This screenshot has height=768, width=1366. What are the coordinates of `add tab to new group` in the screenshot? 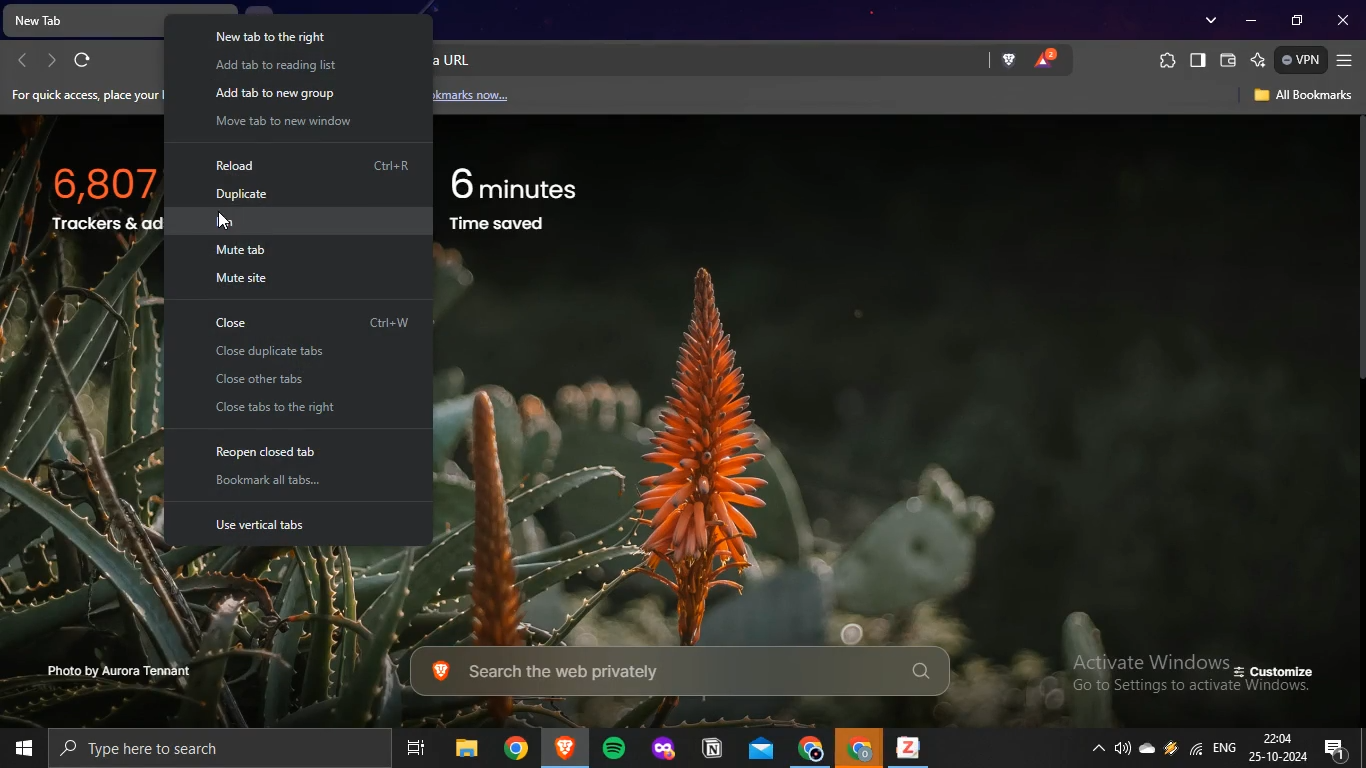 It's located at (271, 94).